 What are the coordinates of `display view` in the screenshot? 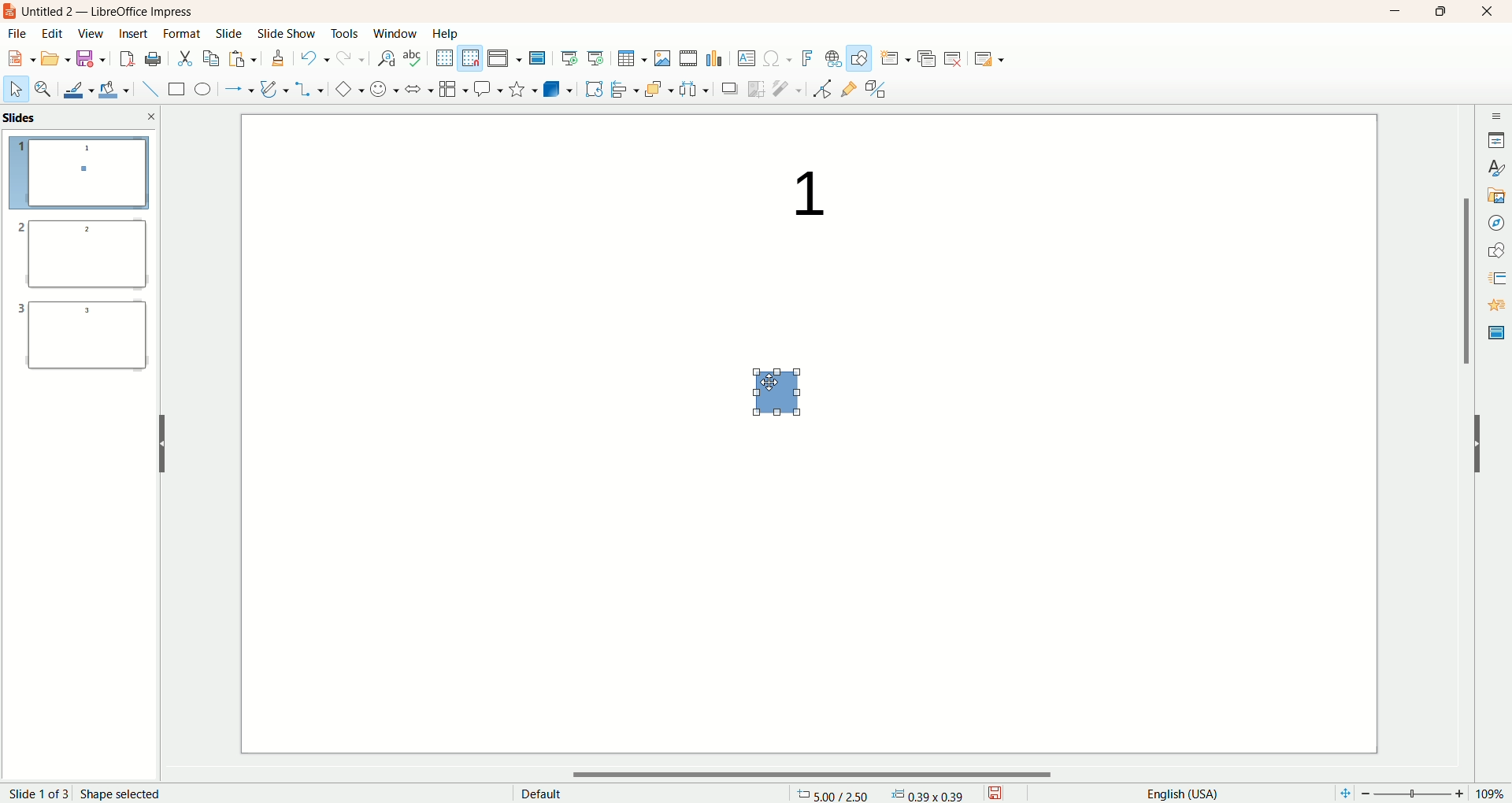 It's located at (506, 57).